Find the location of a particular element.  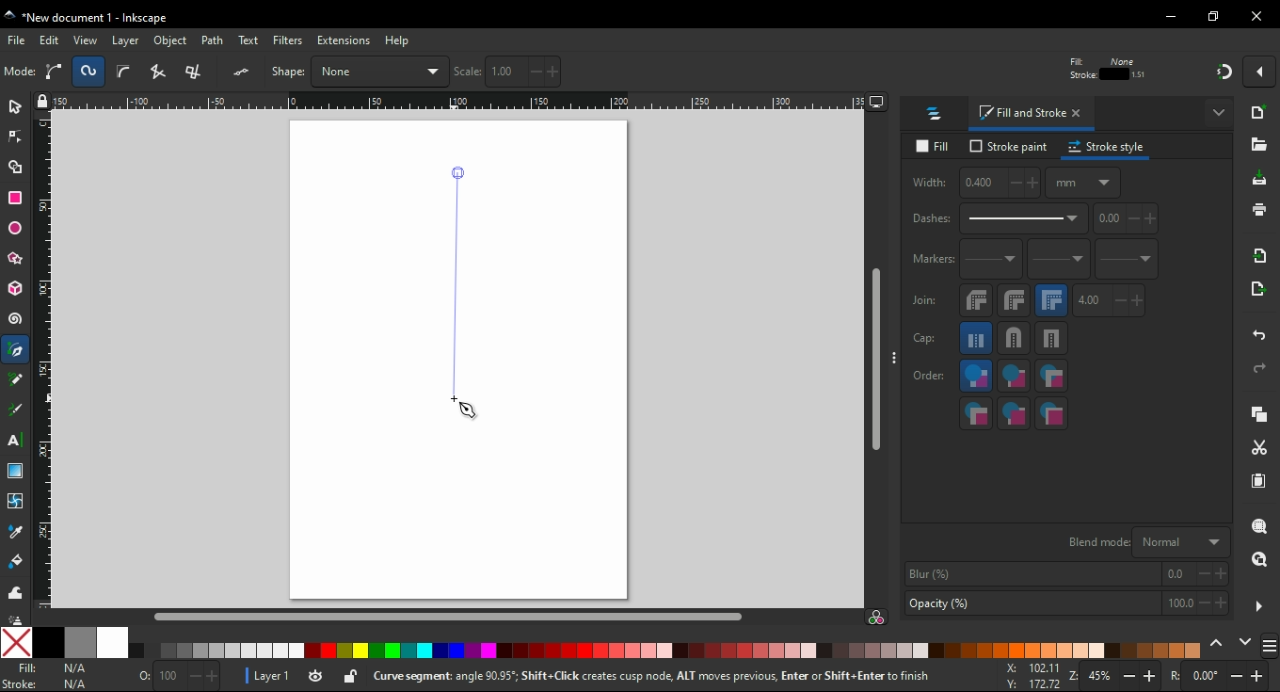

markers is located at coordinates (931, 259).